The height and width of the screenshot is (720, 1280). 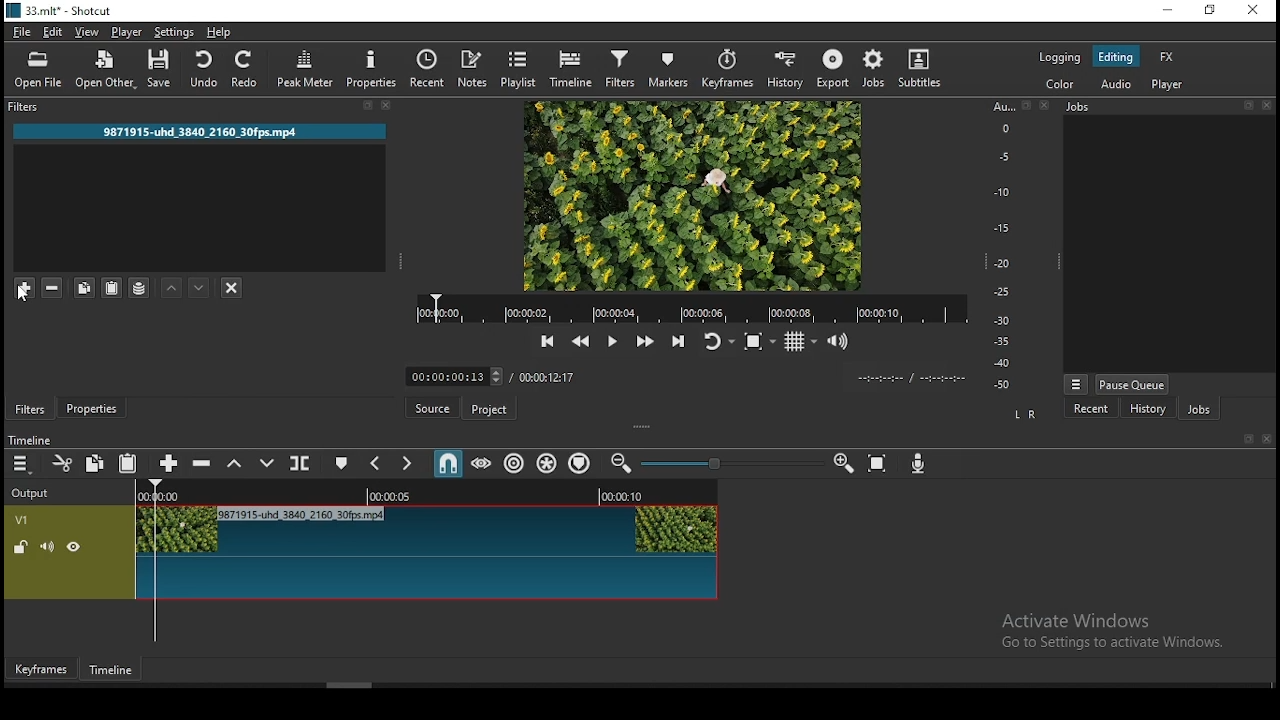 What do you see at coordinates (799, 341) in the screenshot?
I see `toggle grid display on the player` at bounding box center [799, 341].